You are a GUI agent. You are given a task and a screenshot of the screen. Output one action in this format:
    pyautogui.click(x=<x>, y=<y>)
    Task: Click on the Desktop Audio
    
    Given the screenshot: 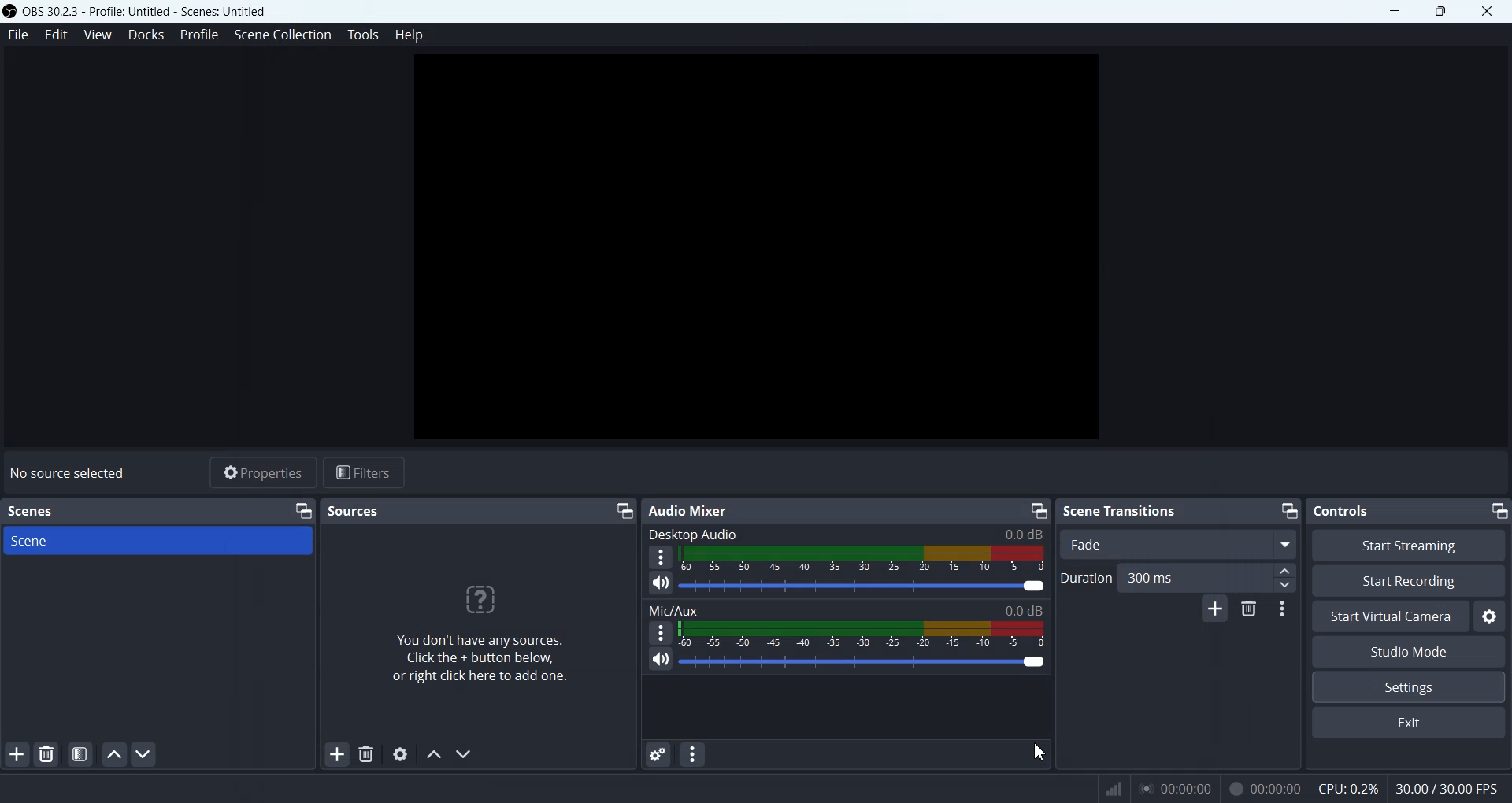 What is the action you would take?
    pyautogui.click(x=845, y=535)
    